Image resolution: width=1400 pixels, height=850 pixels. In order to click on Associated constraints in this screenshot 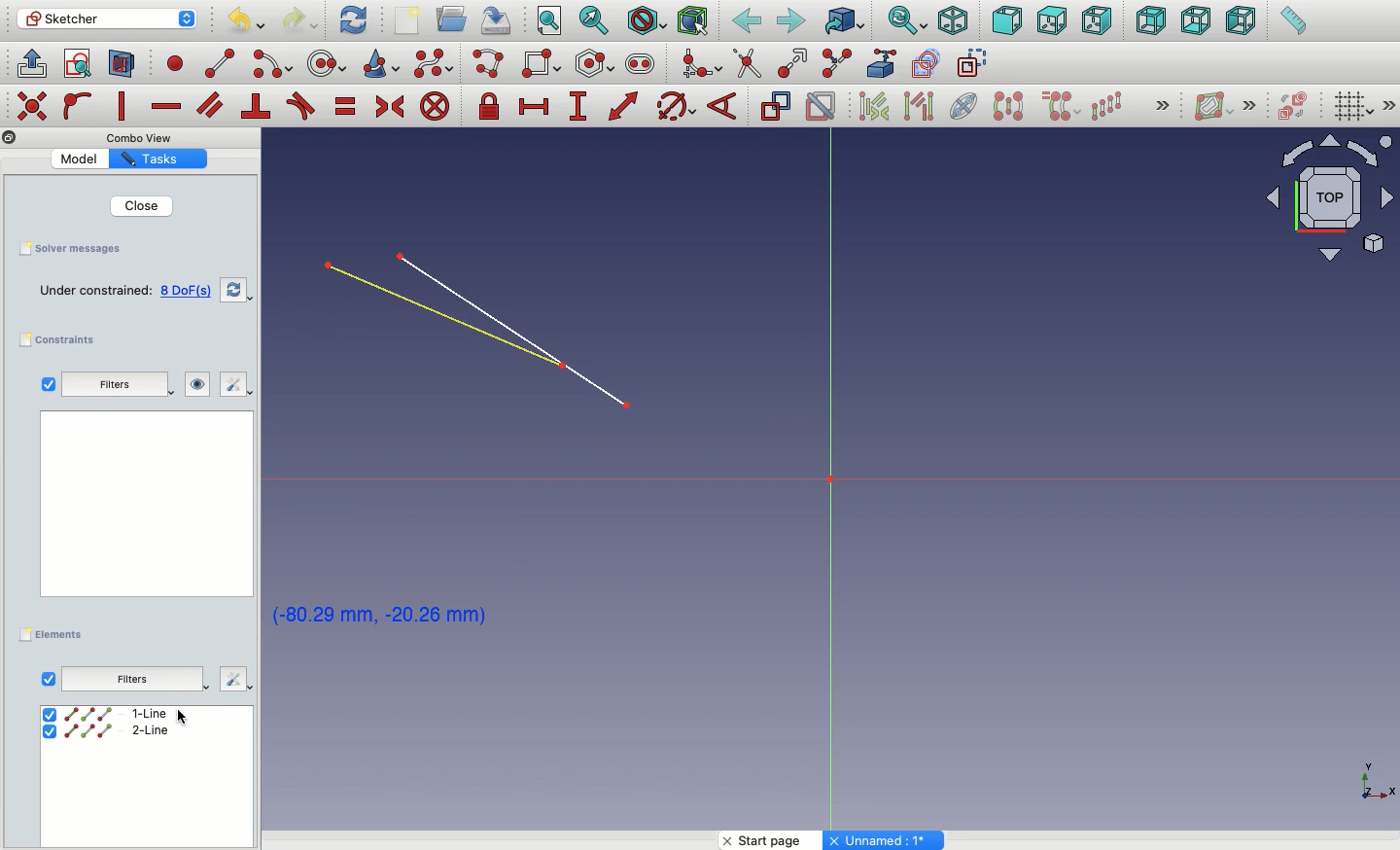, I will do `click(877, 106)`.